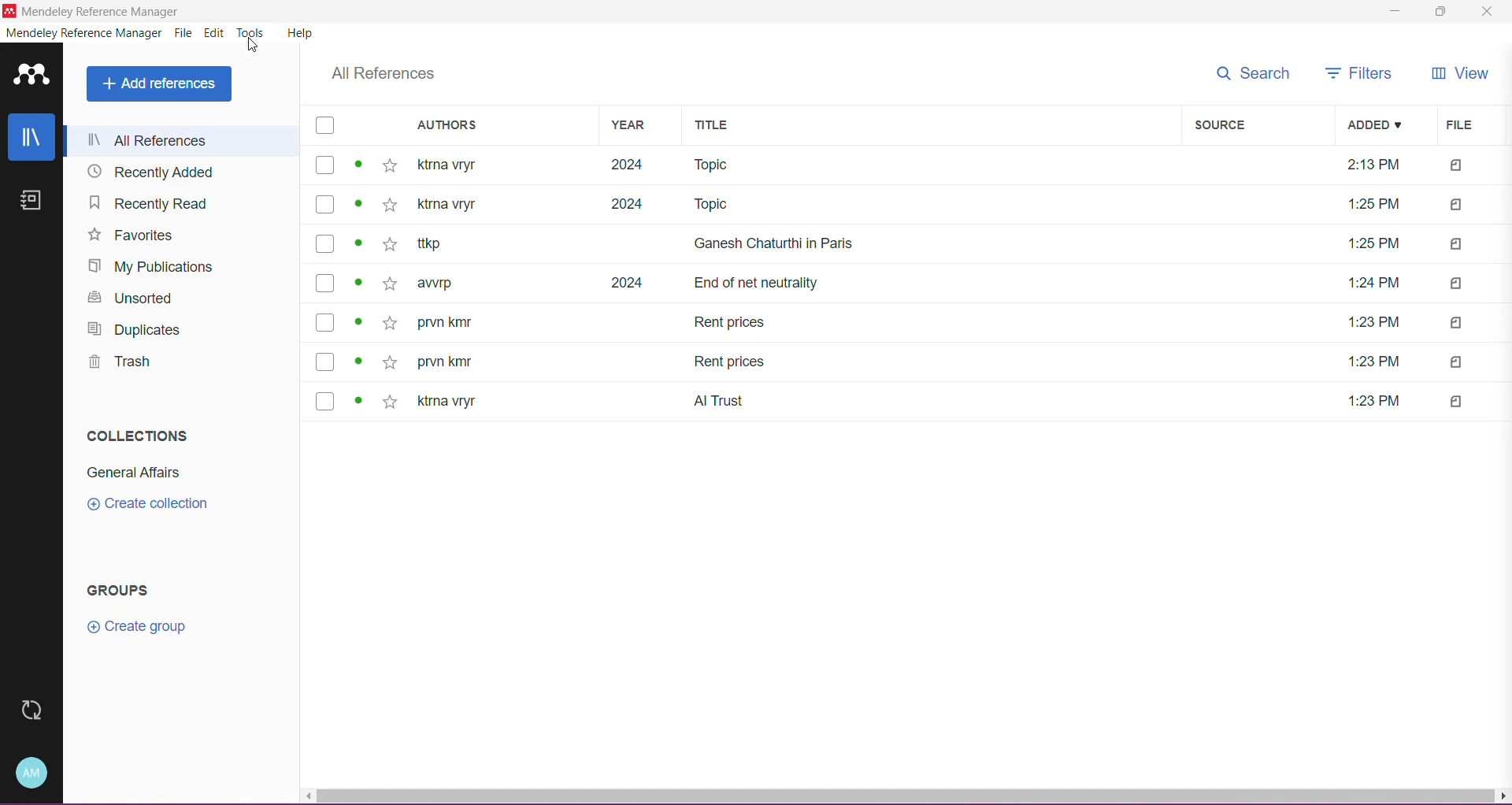 Image resolution: width=1512 pixels, height=805 pixels. Describe the element at coordinates (325, 401) in the screenshot. I see `checkbox` at that location.